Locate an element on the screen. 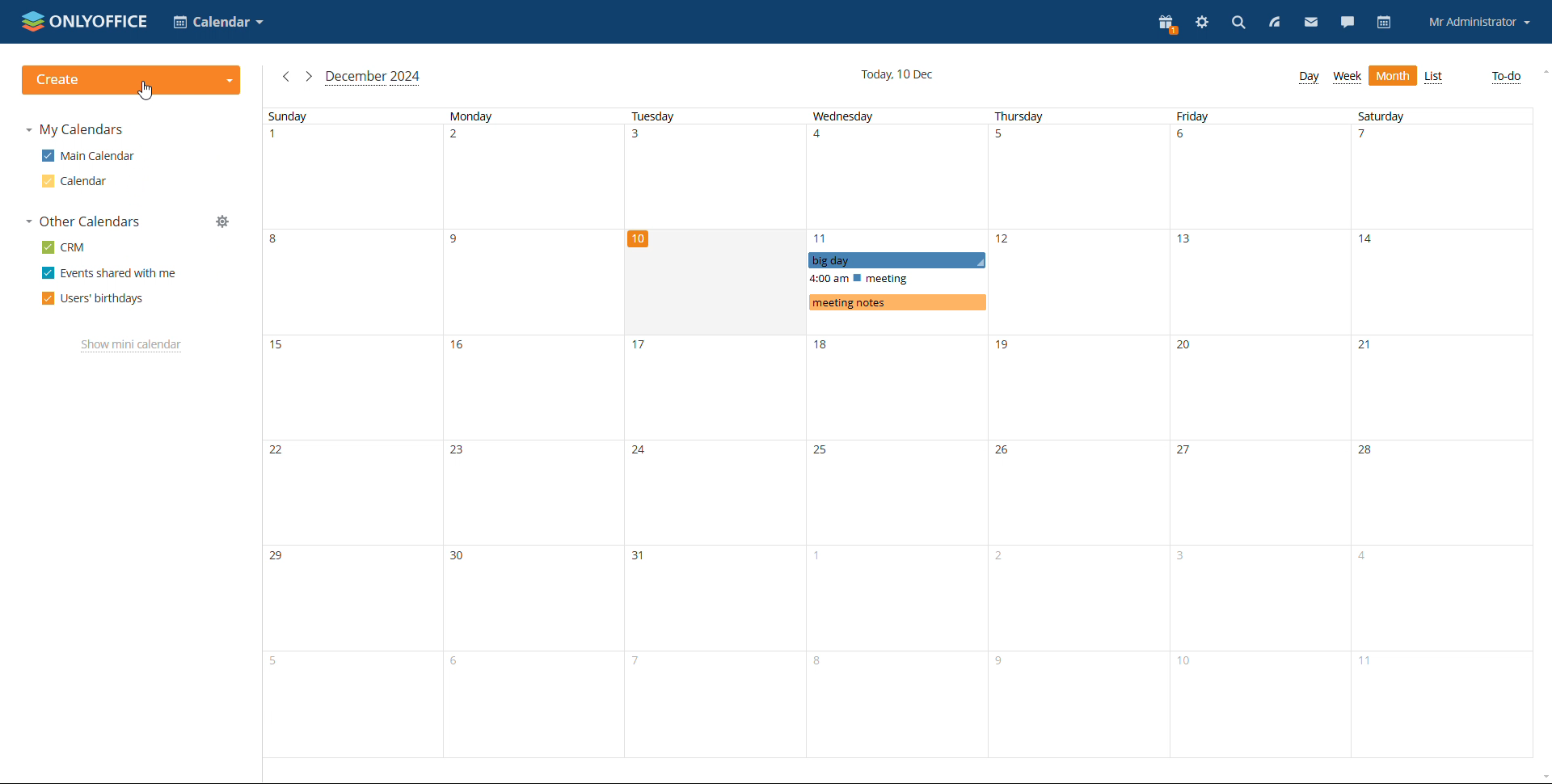 The height and width of the screenshot is (784, 1552). calendar is located at coordinates (1383, 23).